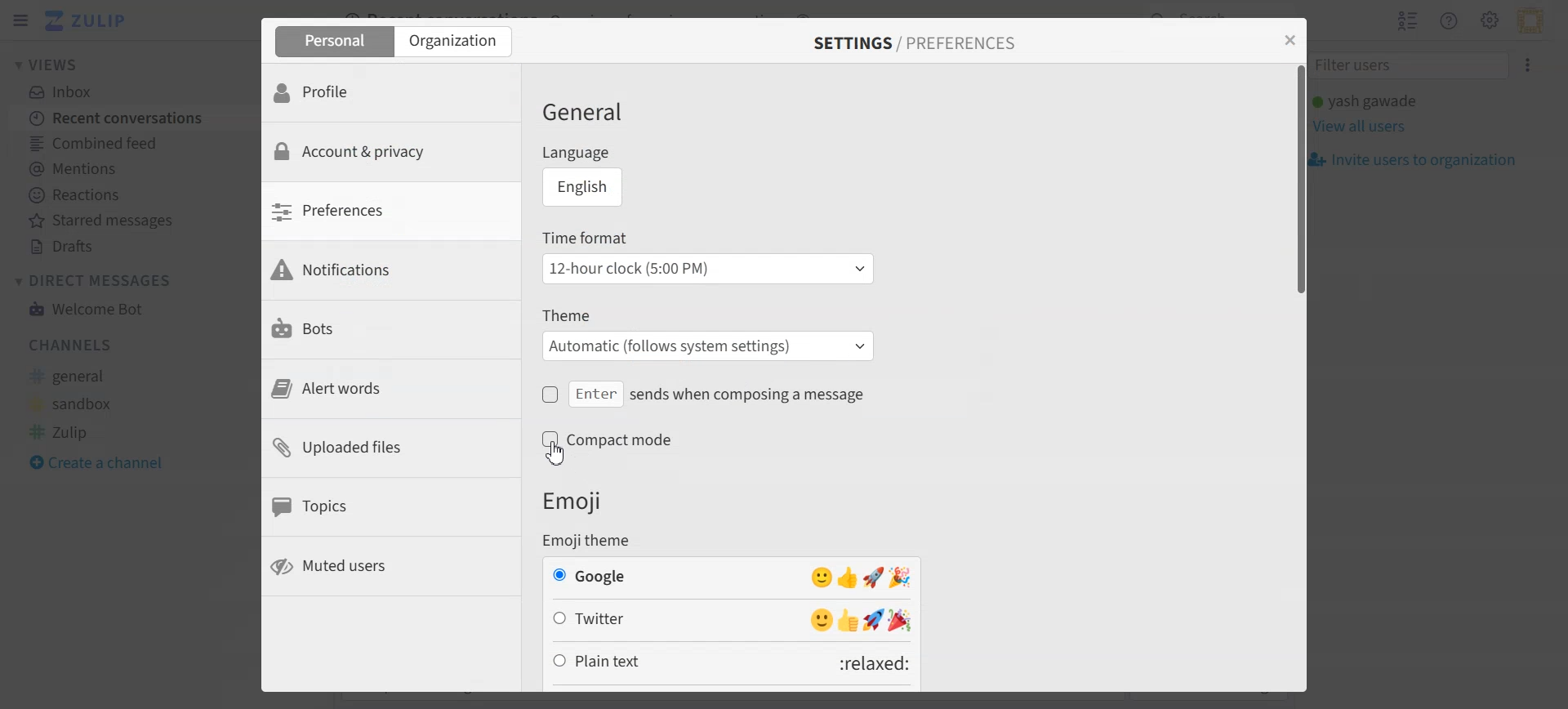 The width and height of the screenshot is (1568, 709). I want to click on Twitter, so click(732, 620).